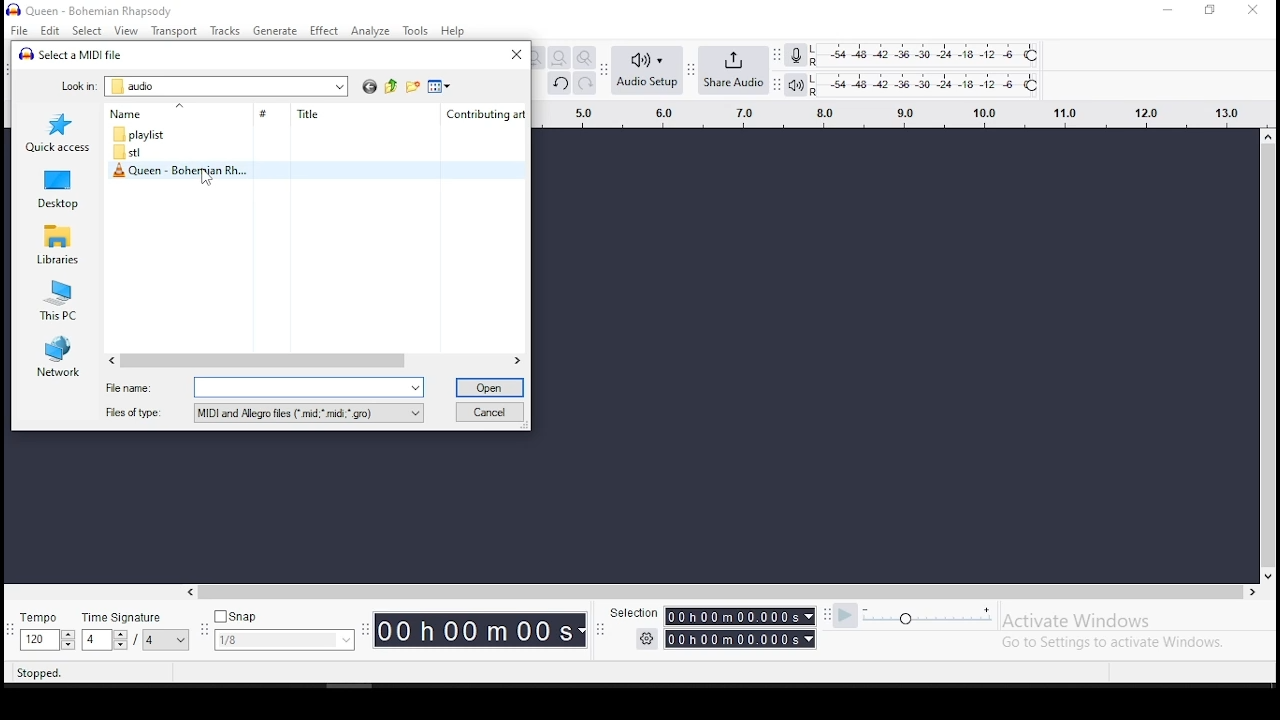 Image resolution: width=1280 pixels, height=720 pixels. What do you see at coordinates (370, 86) in the screenshot?
I see `back` at bounding box center [370, 86].